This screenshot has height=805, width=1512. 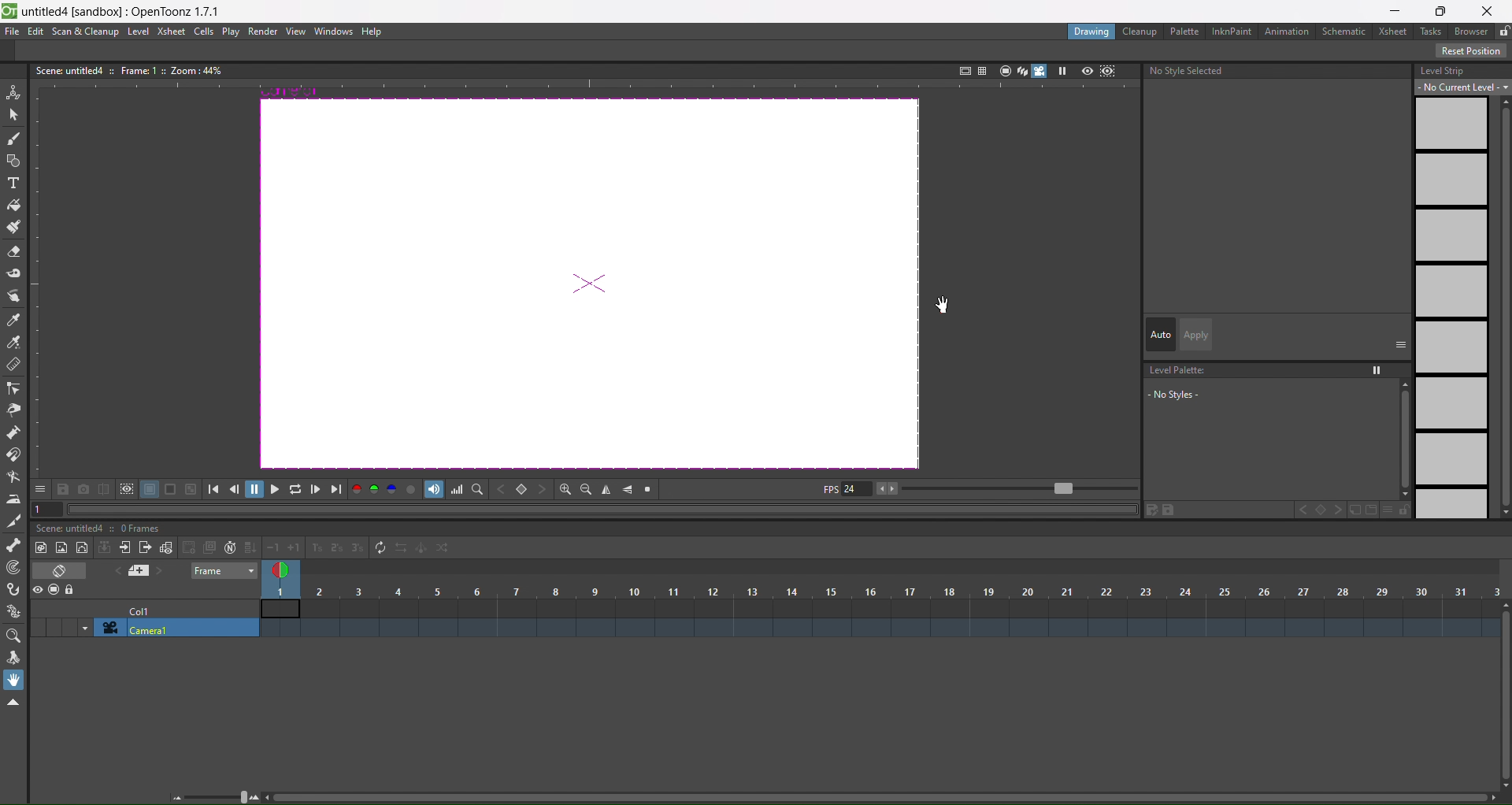 I want to click on locator, so click(x=478, y=490).